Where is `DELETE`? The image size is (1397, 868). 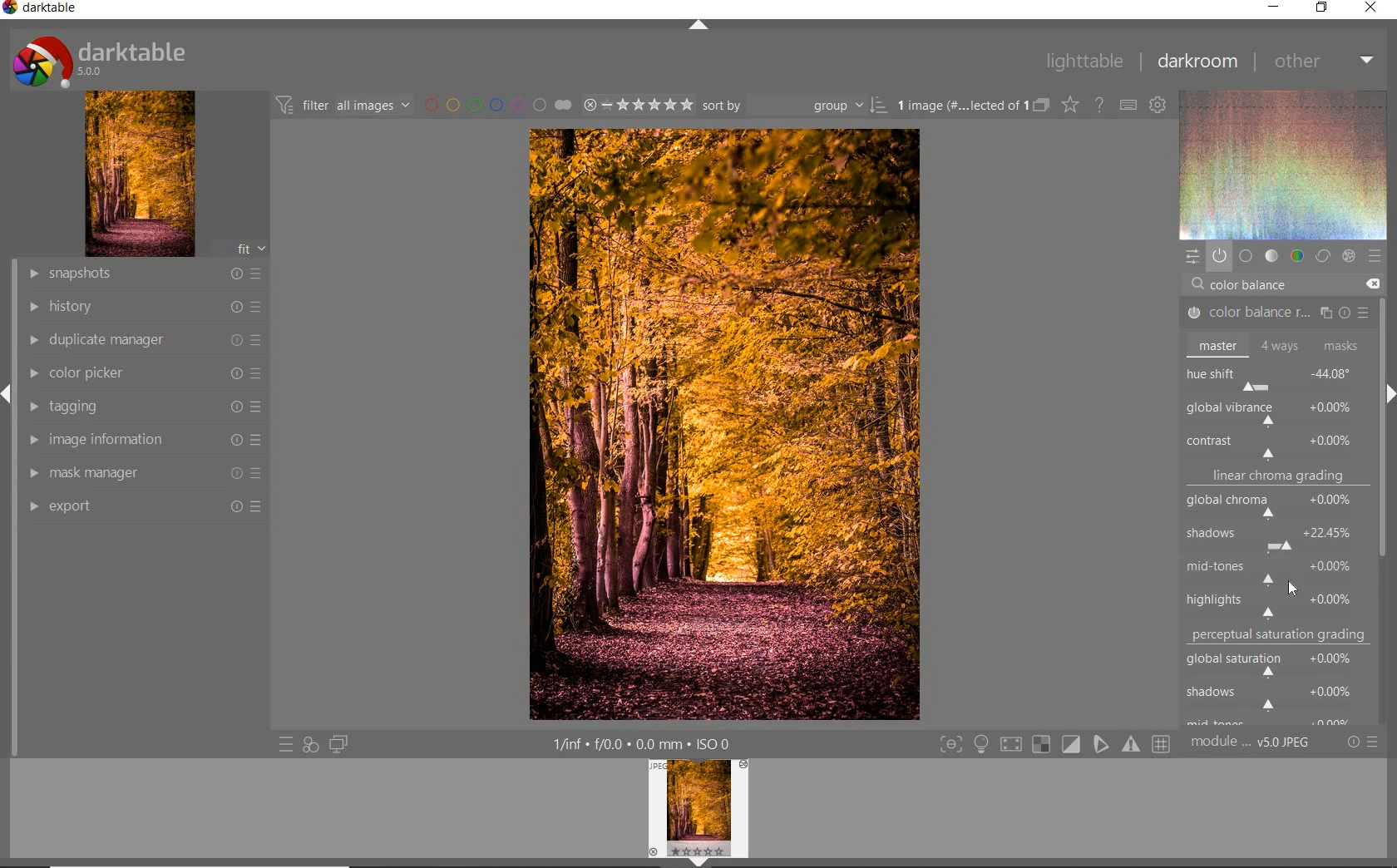 DELETE is located at coordinates (1372, 284).